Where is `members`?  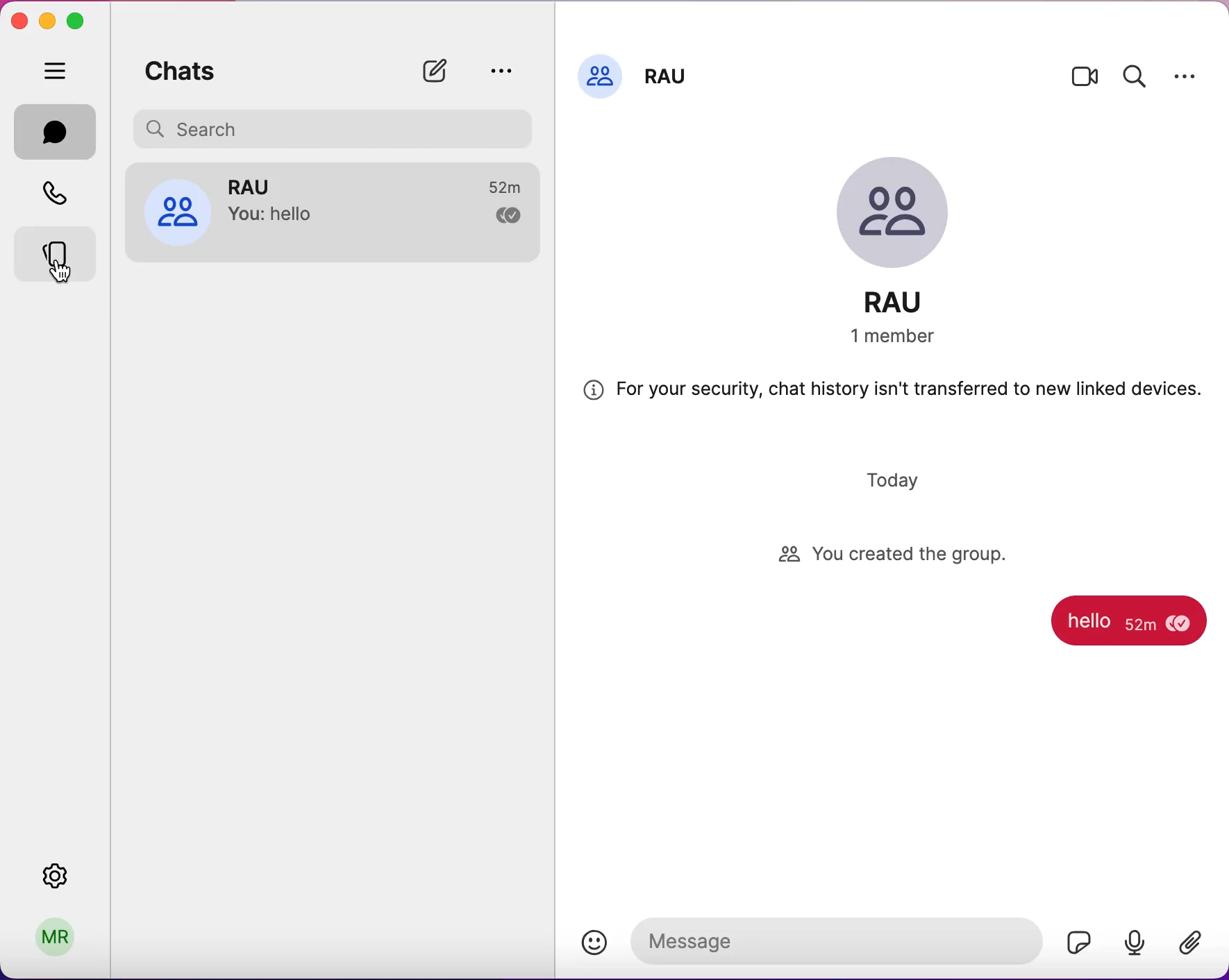
members is located at coordinates (903, 339).